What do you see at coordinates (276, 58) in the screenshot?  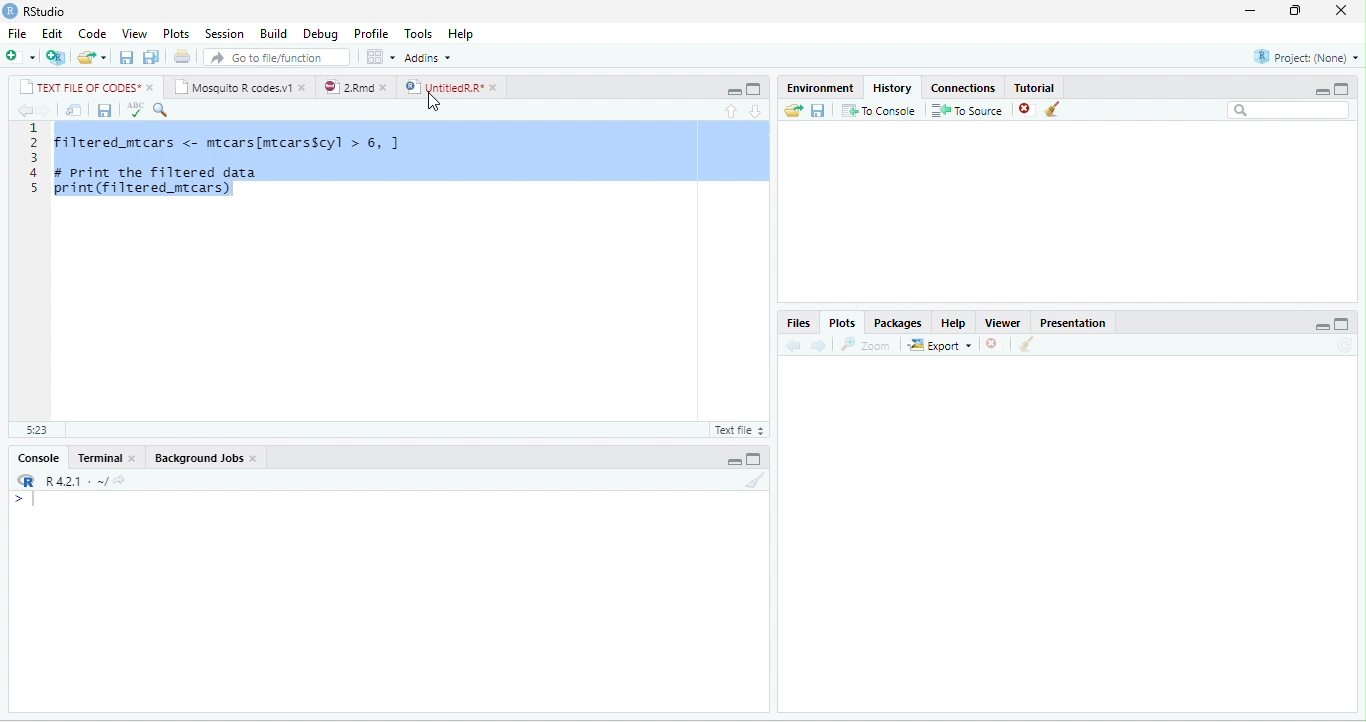 I see `search file` at bounding box center [276, 58].